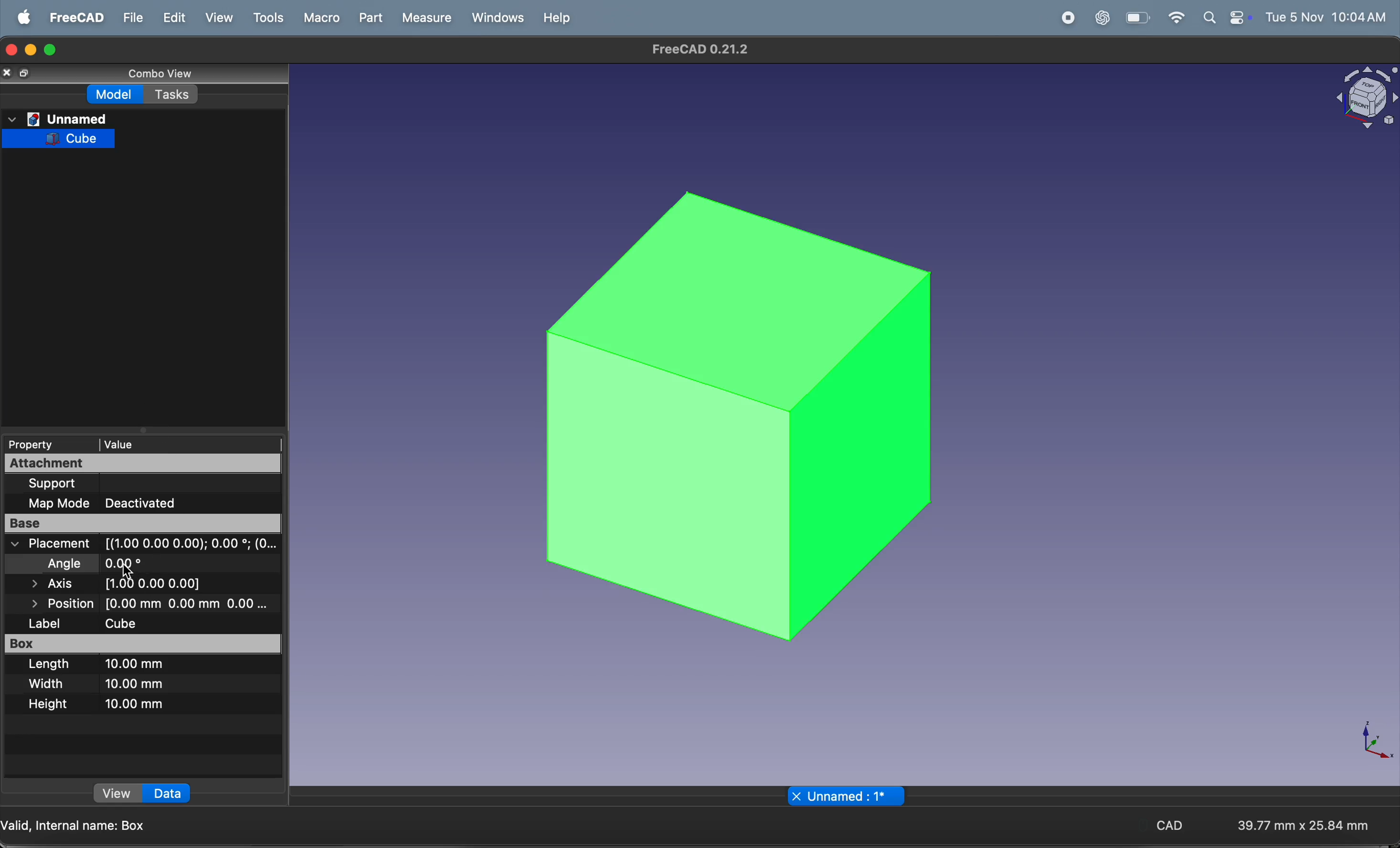 This screenshot has height=848, width=1400. What do you see at coordinates (1164, 825) in the screenshot?
I see `CAD` at bounding box center [1164, 825].